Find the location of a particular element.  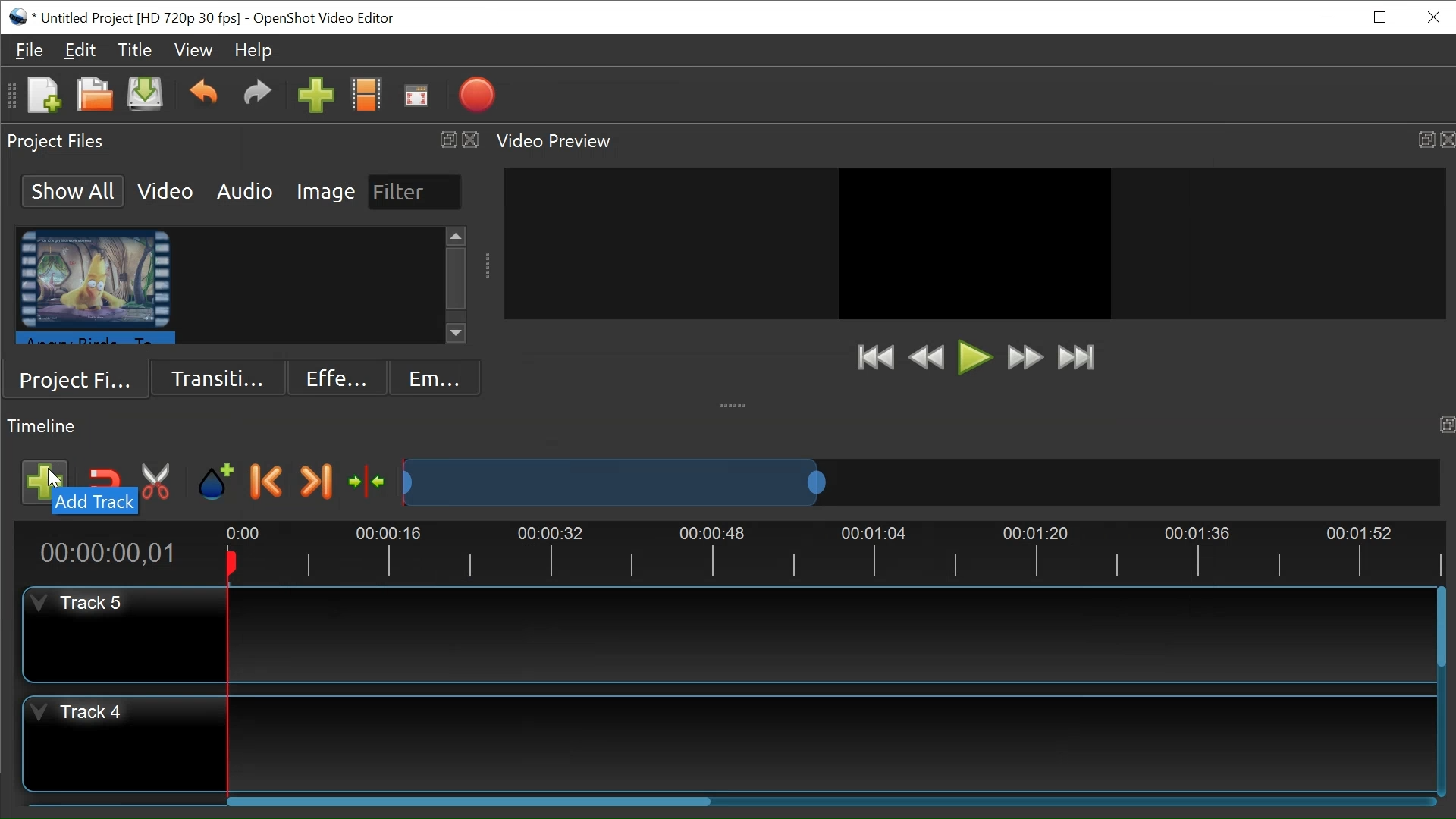

File is located at coordinates (30, 51).